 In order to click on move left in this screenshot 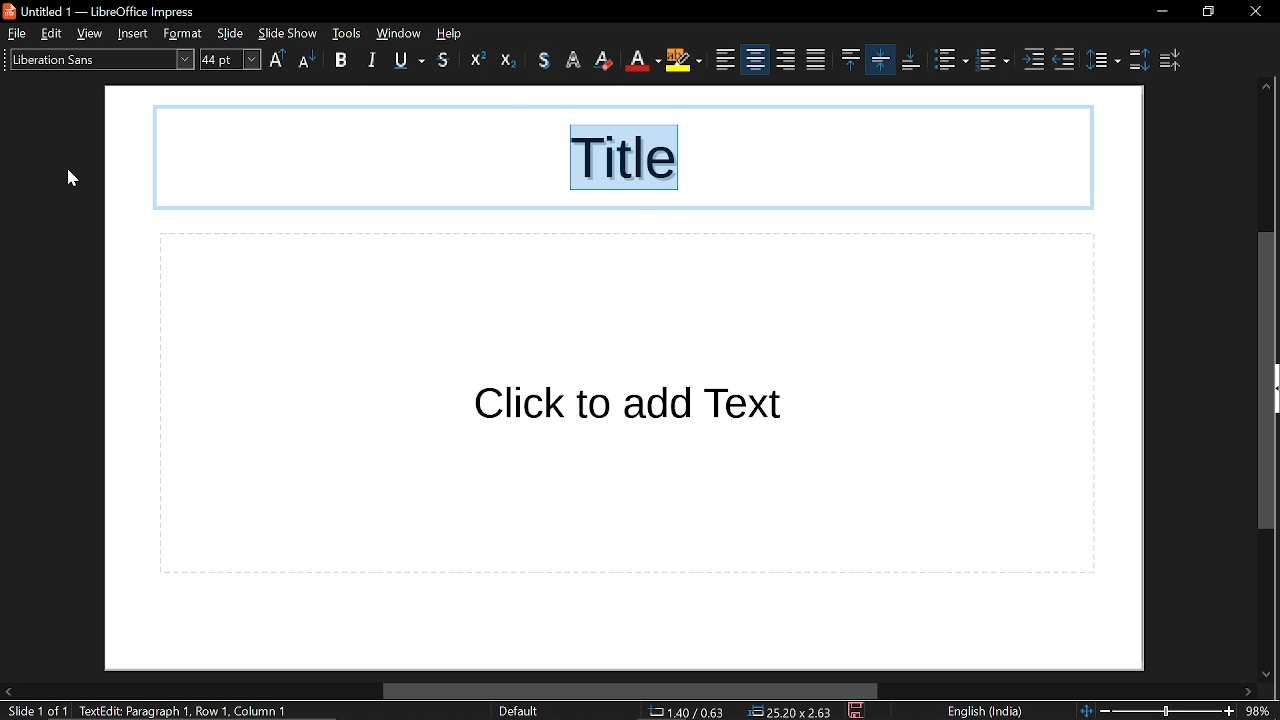, I will do `click(8, 692)`.